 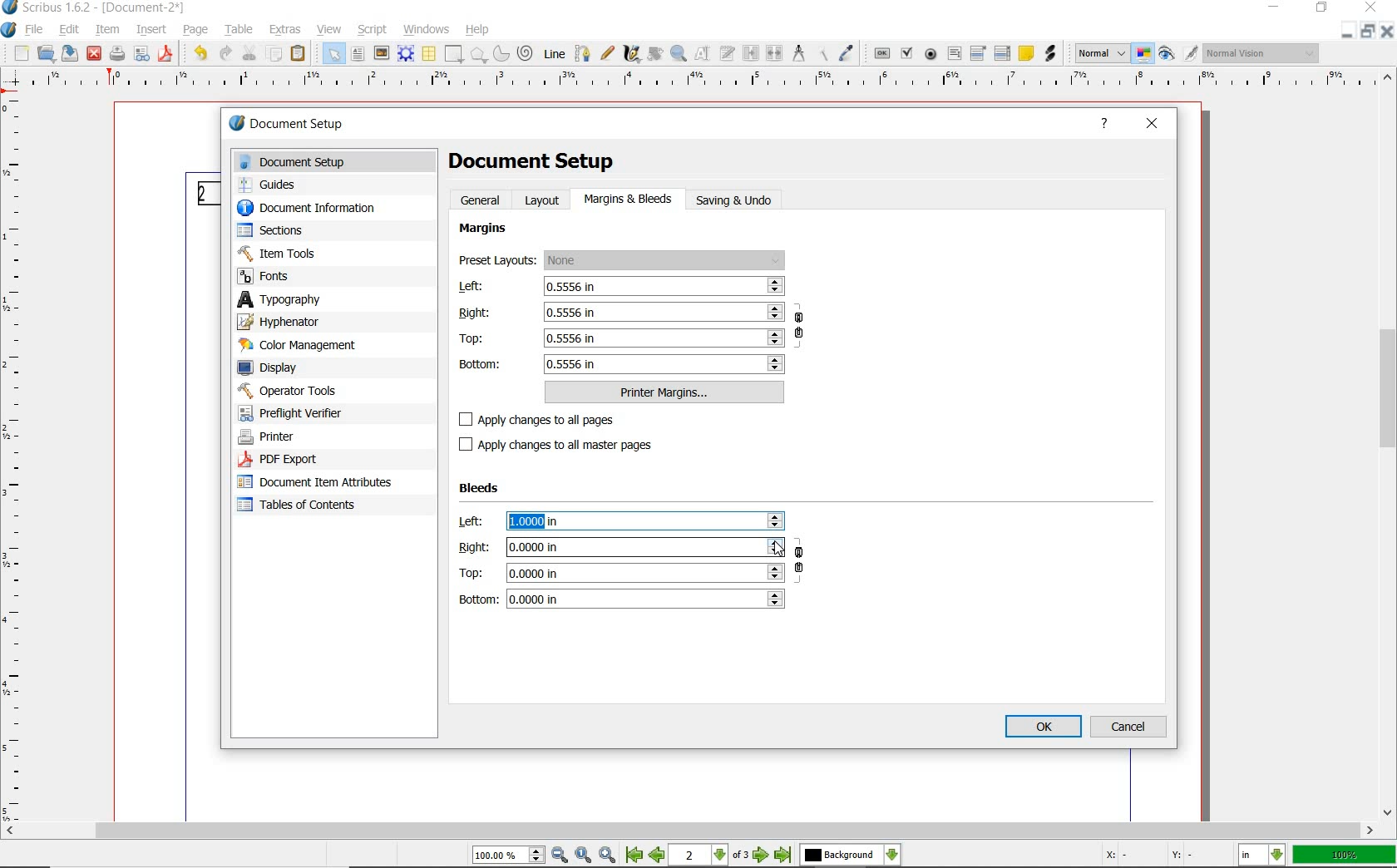 I want to click on color management, so click(x=303, y=347).